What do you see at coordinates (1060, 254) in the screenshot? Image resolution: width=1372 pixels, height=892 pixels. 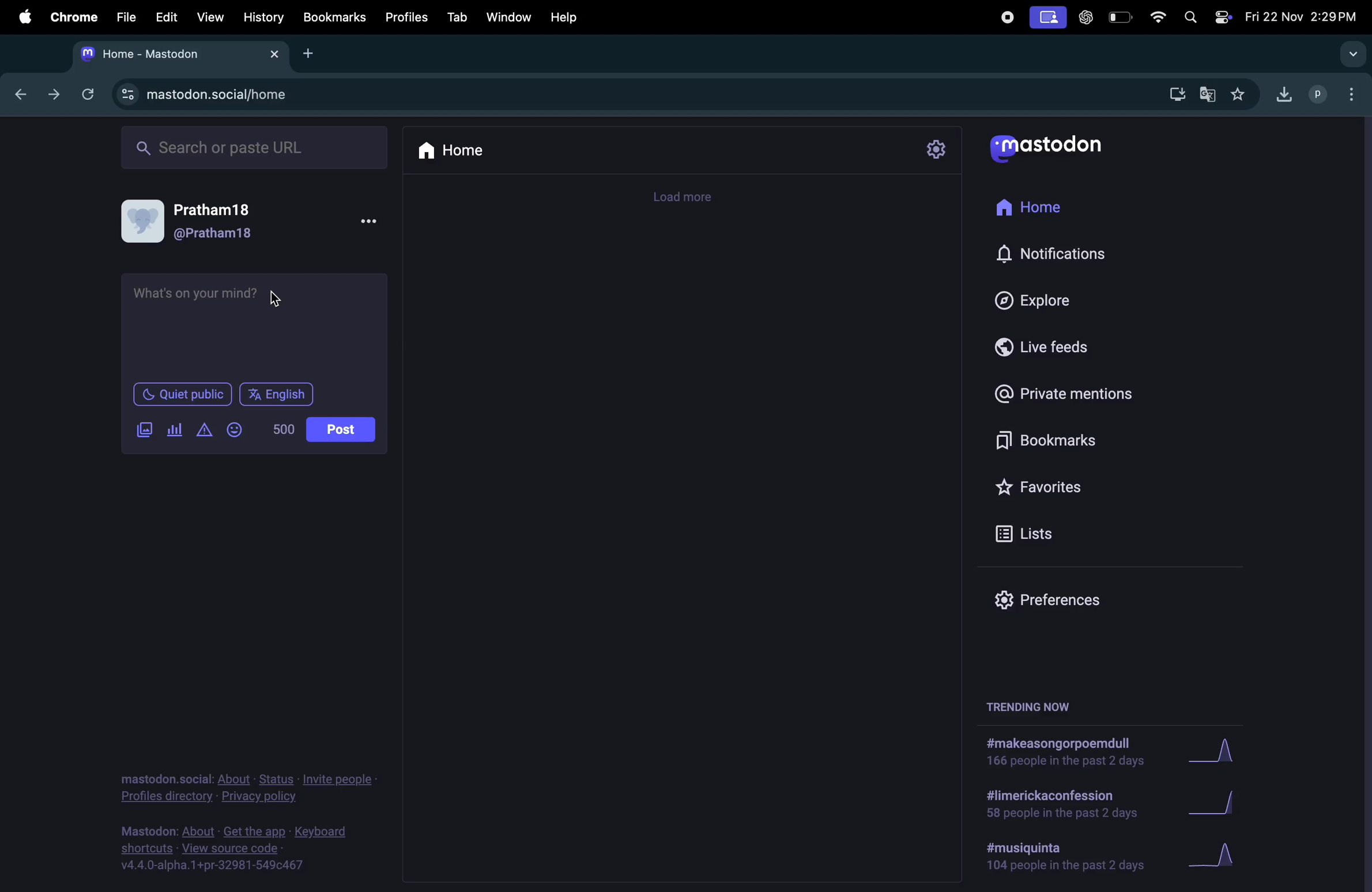 I see `notifications` at bounding box center [1060, 254].